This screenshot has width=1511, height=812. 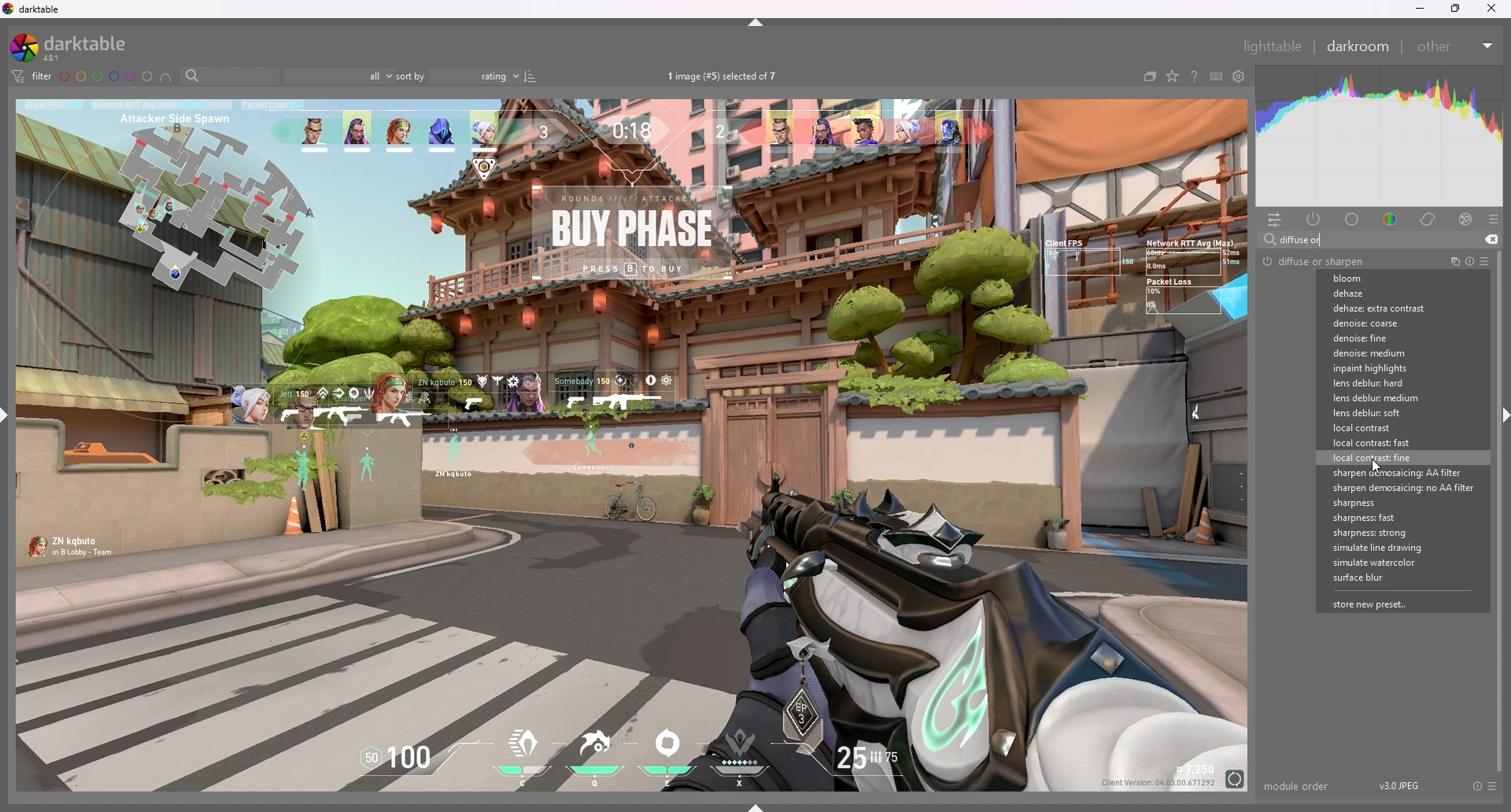 What do you see at coordinates (1376, 578) in the screenshot?
I see `surface blur` at bounding box center [1376, 578].